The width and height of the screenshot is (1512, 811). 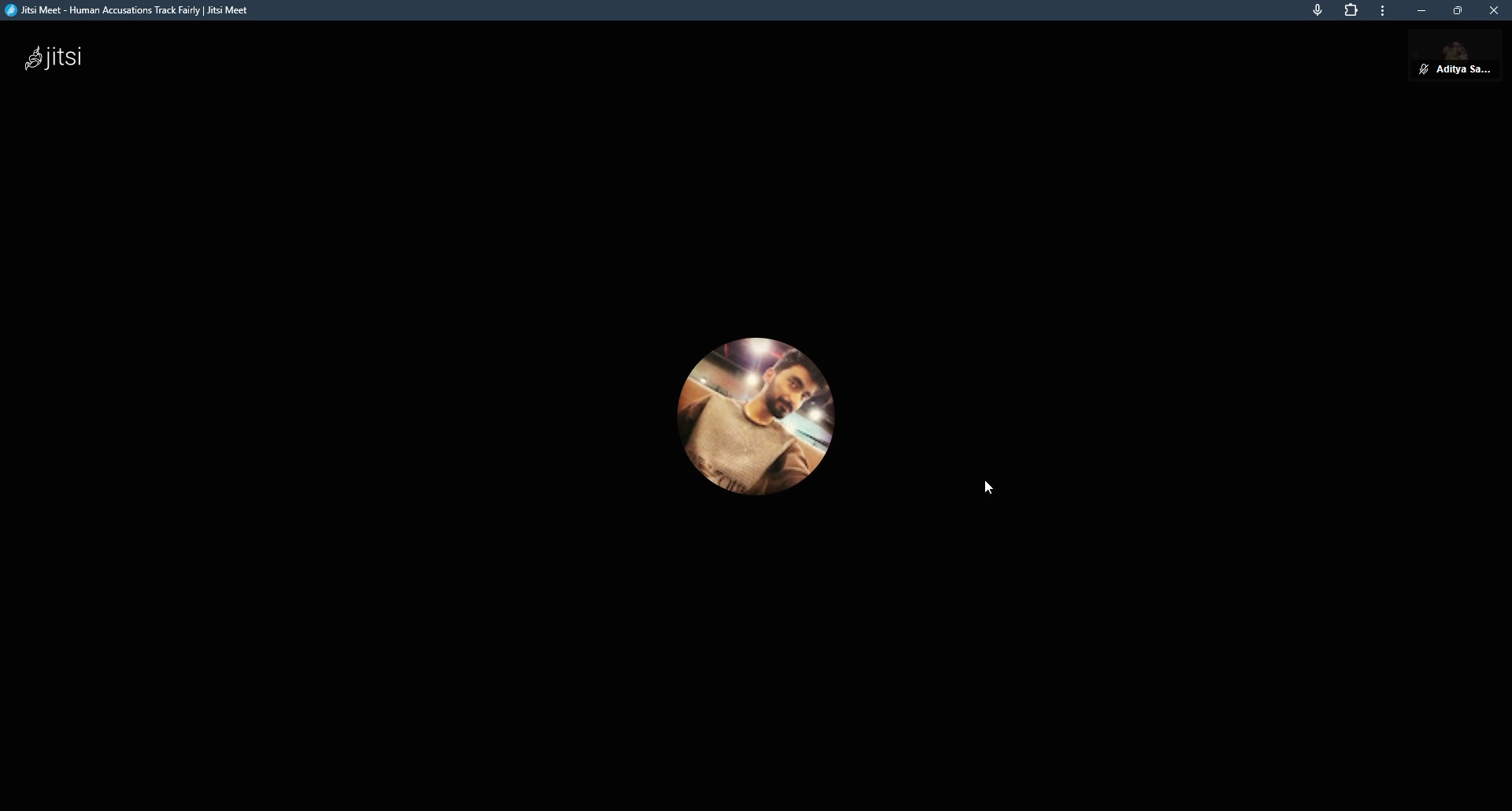 I want to click on more, so click(x=1385, y=10).